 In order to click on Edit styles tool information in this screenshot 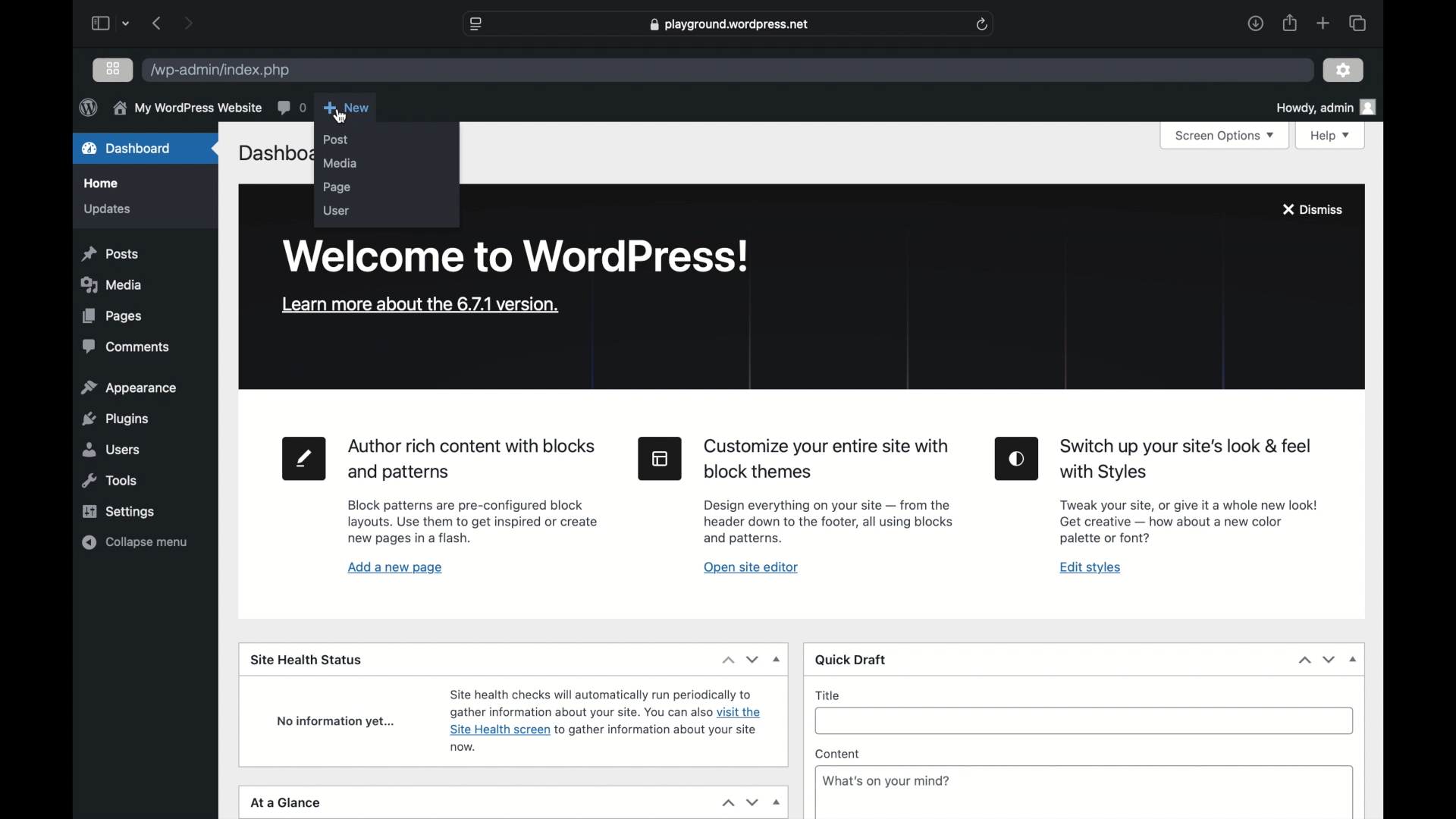, I will do `click(1188, 522)`.